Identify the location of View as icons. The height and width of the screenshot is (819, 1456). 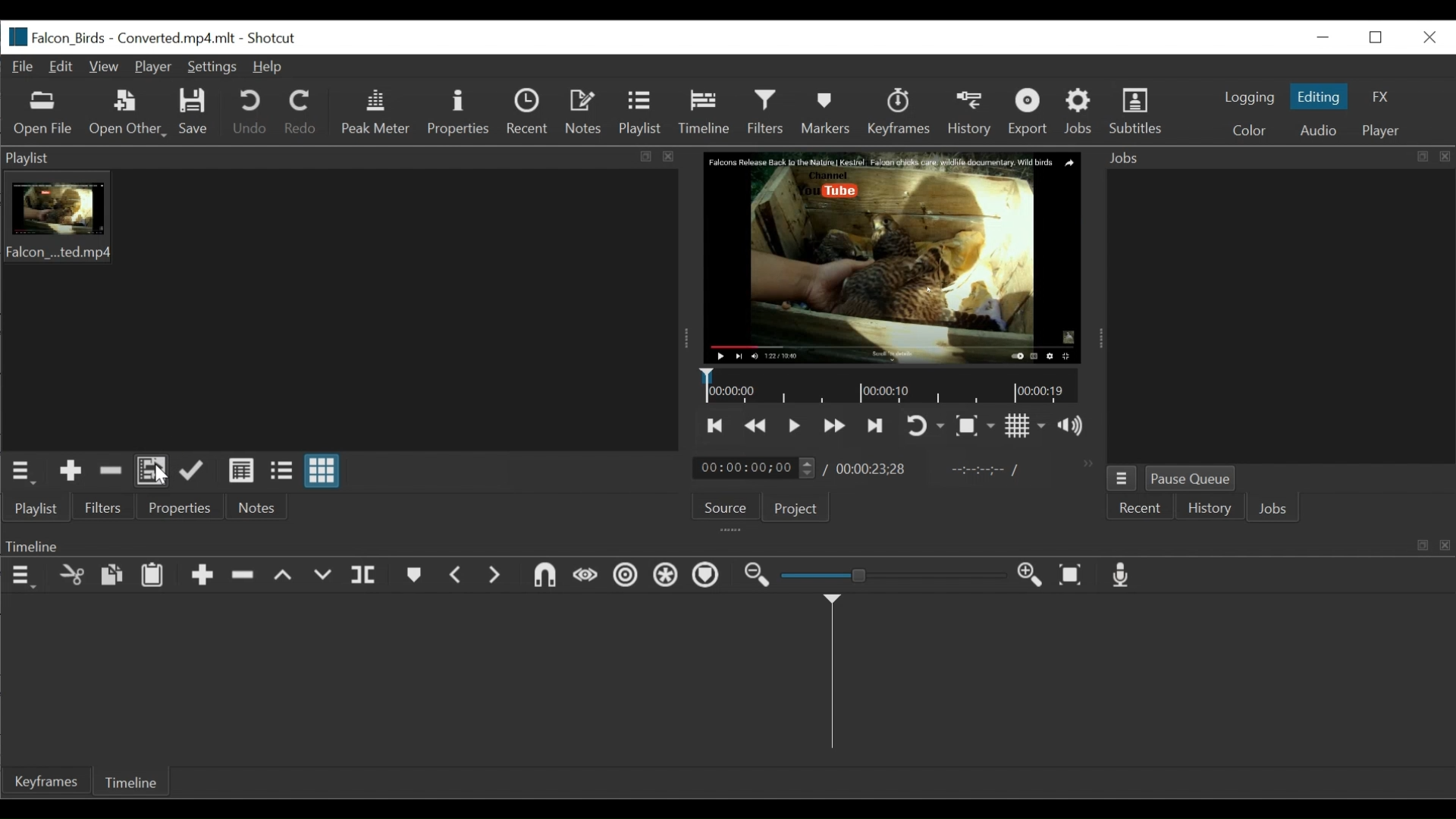
(325, 471).